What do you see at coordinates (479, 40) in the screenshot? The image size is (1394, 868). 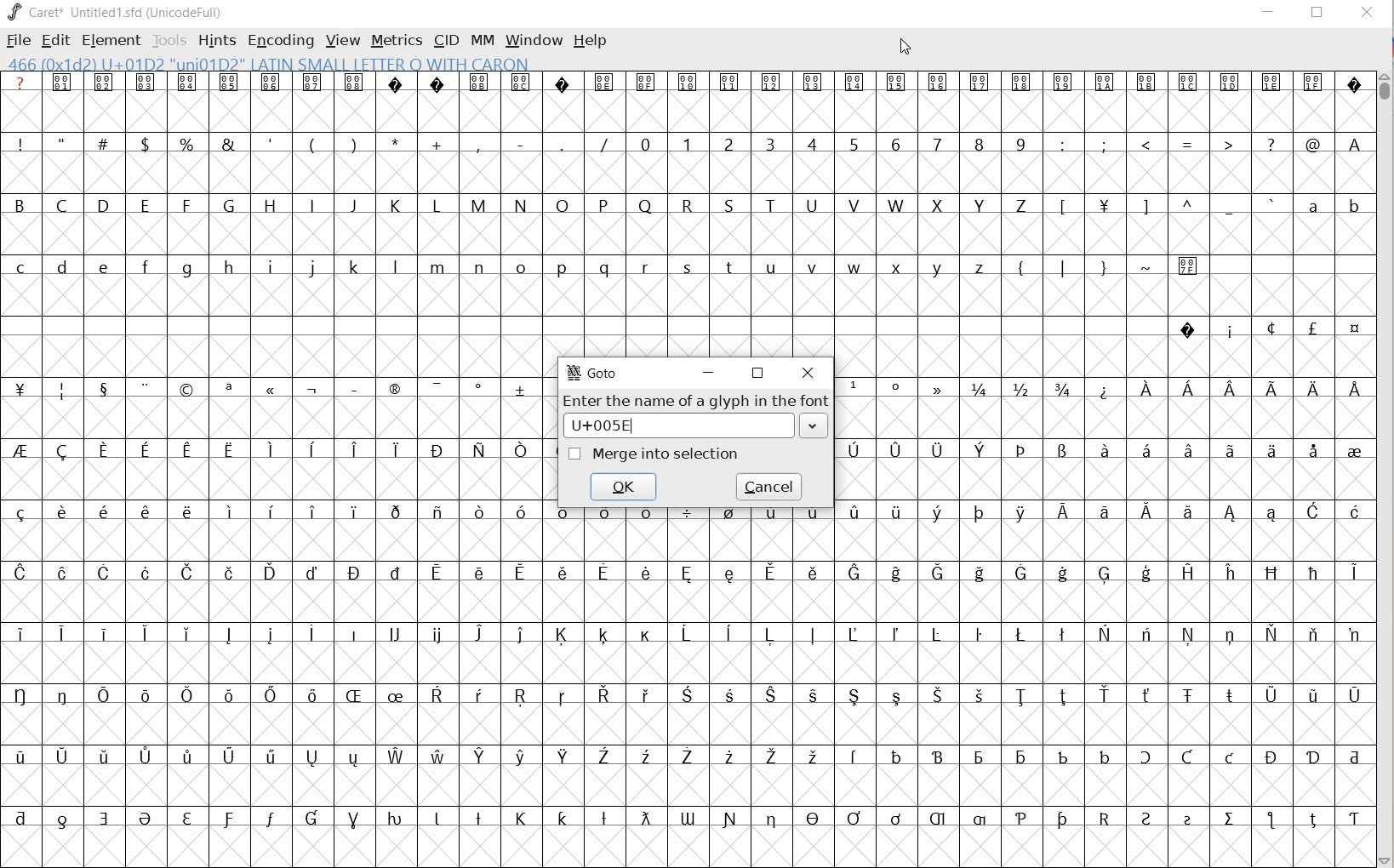 I see `MM` at bounding box center [479, 40].